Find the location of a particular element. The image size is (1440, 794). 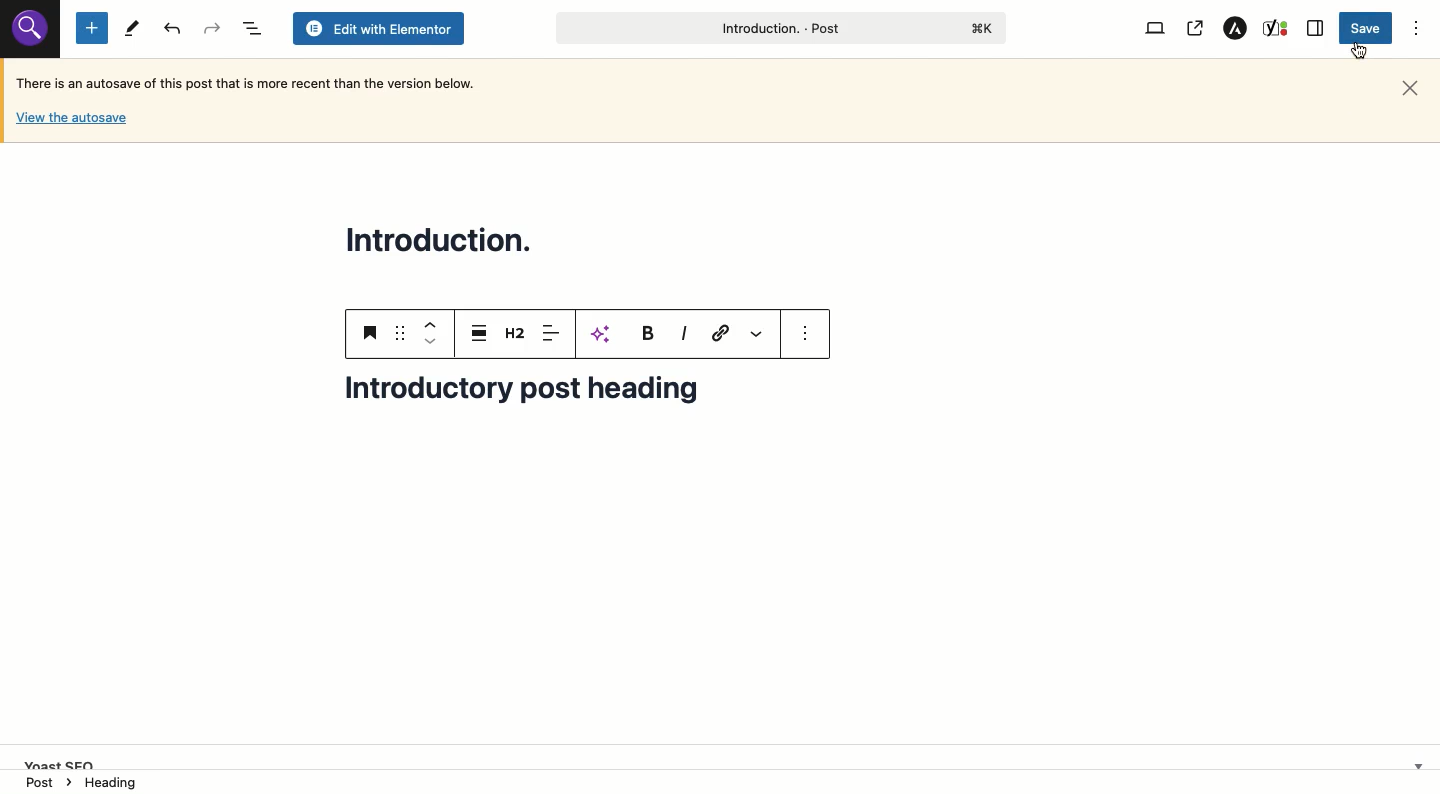

Justification is located at coordinates (477, 332).